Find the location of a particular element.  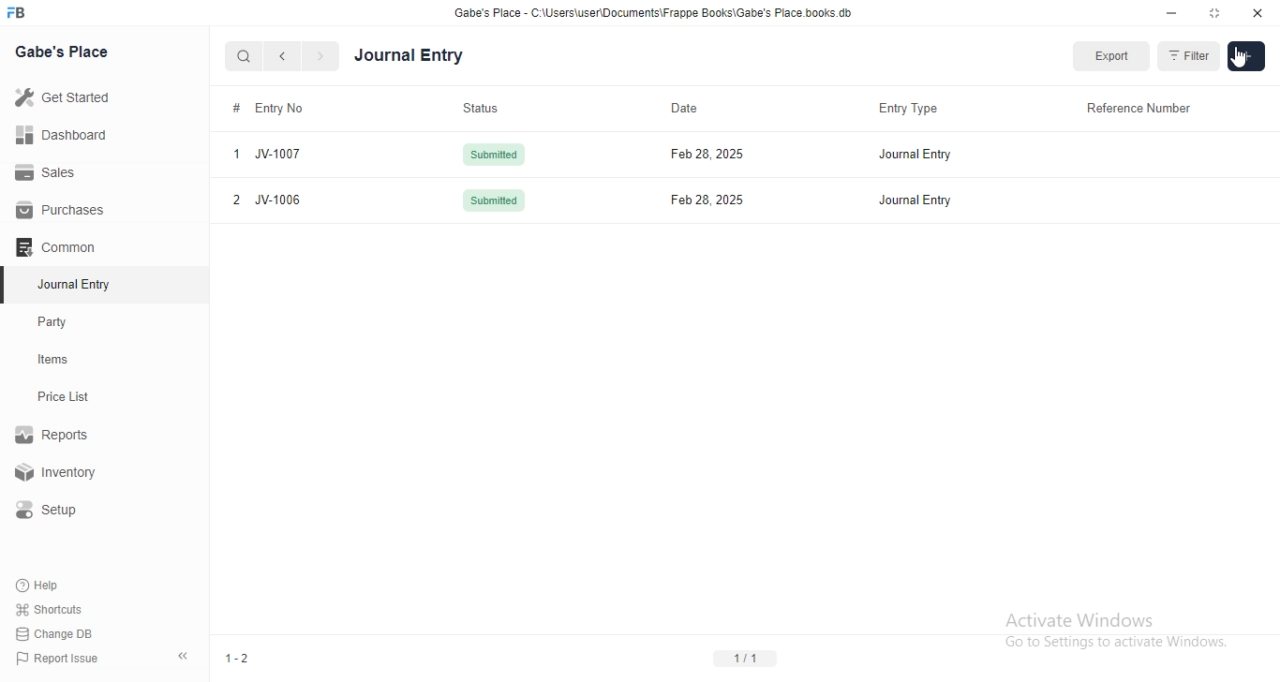

Setup is located at coordinates (54, 510).